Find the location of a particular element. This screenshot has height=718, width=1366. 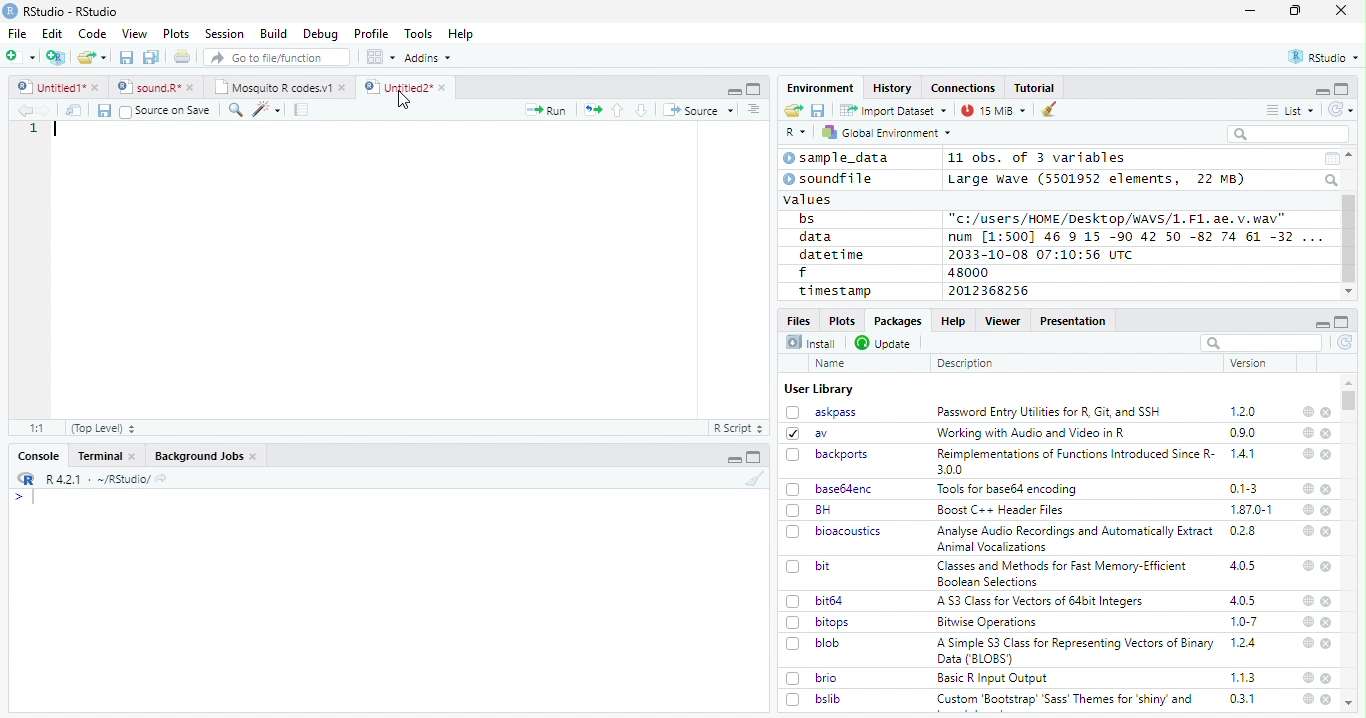

scroll down is located at coordinates (1348, 292).